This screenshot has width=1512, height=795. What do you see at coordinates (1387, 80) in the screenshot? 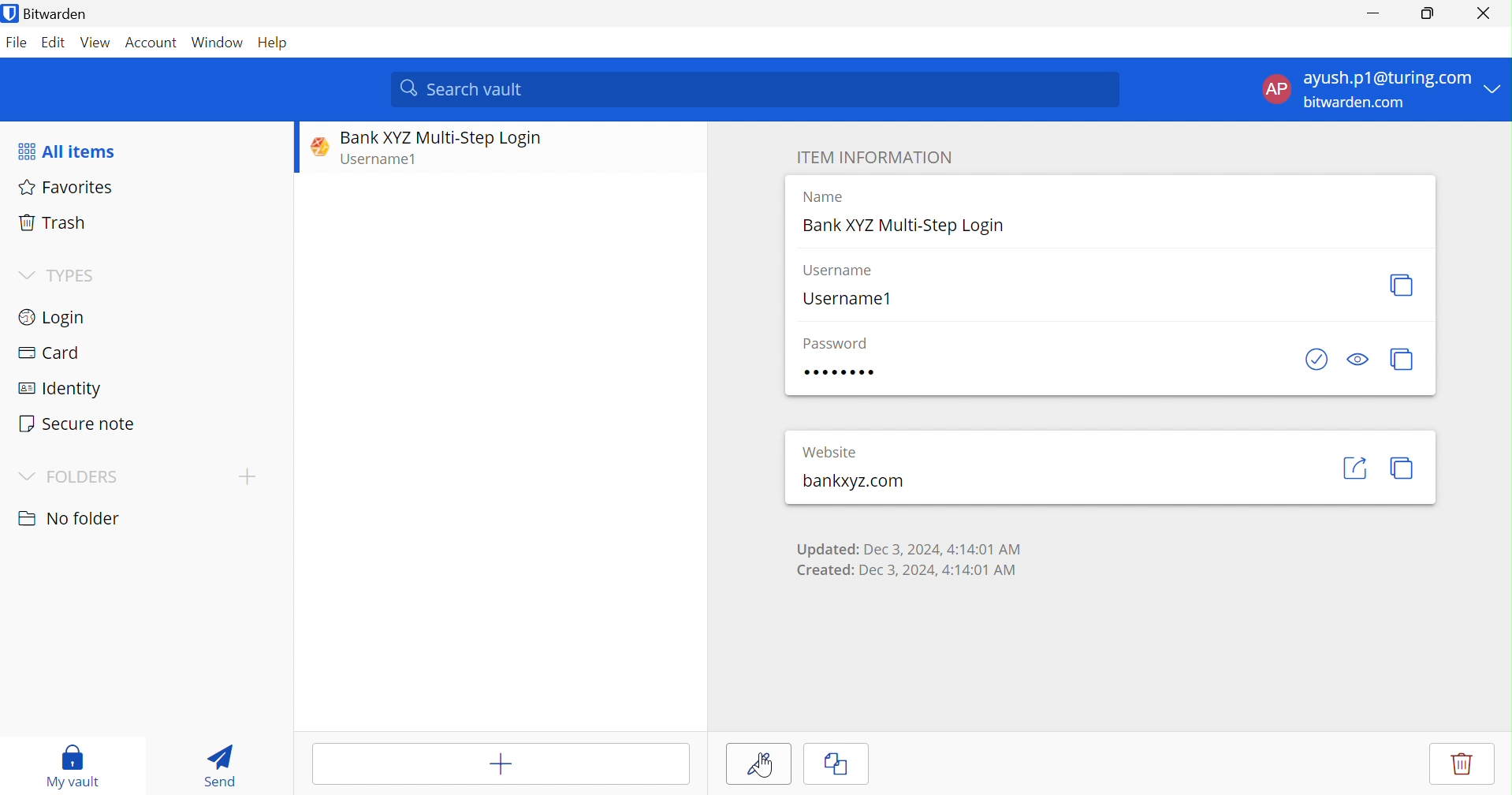
I see `ayush.p1@turing.com` at bounding box center [1387, 80].